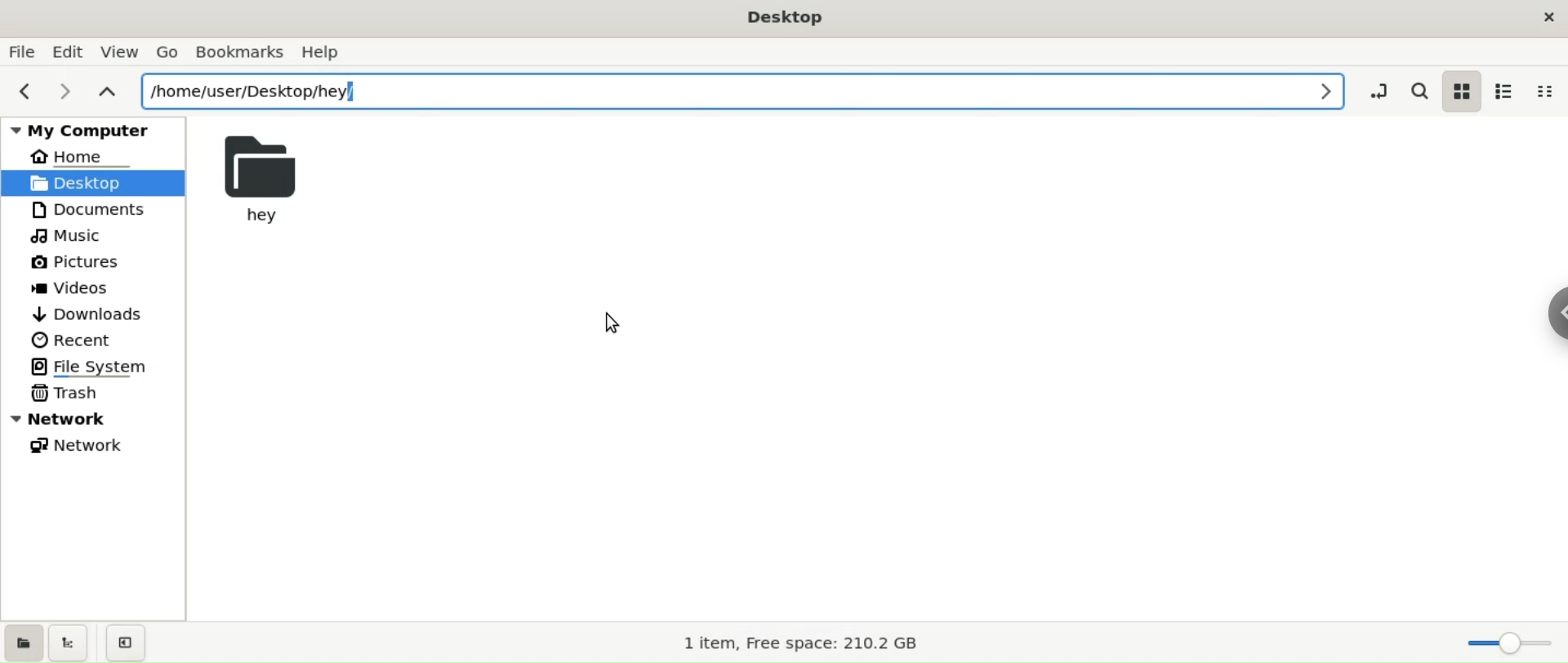  Describe the element at coordinates (76, 287) in the screenshot. I see `videos` at that location.